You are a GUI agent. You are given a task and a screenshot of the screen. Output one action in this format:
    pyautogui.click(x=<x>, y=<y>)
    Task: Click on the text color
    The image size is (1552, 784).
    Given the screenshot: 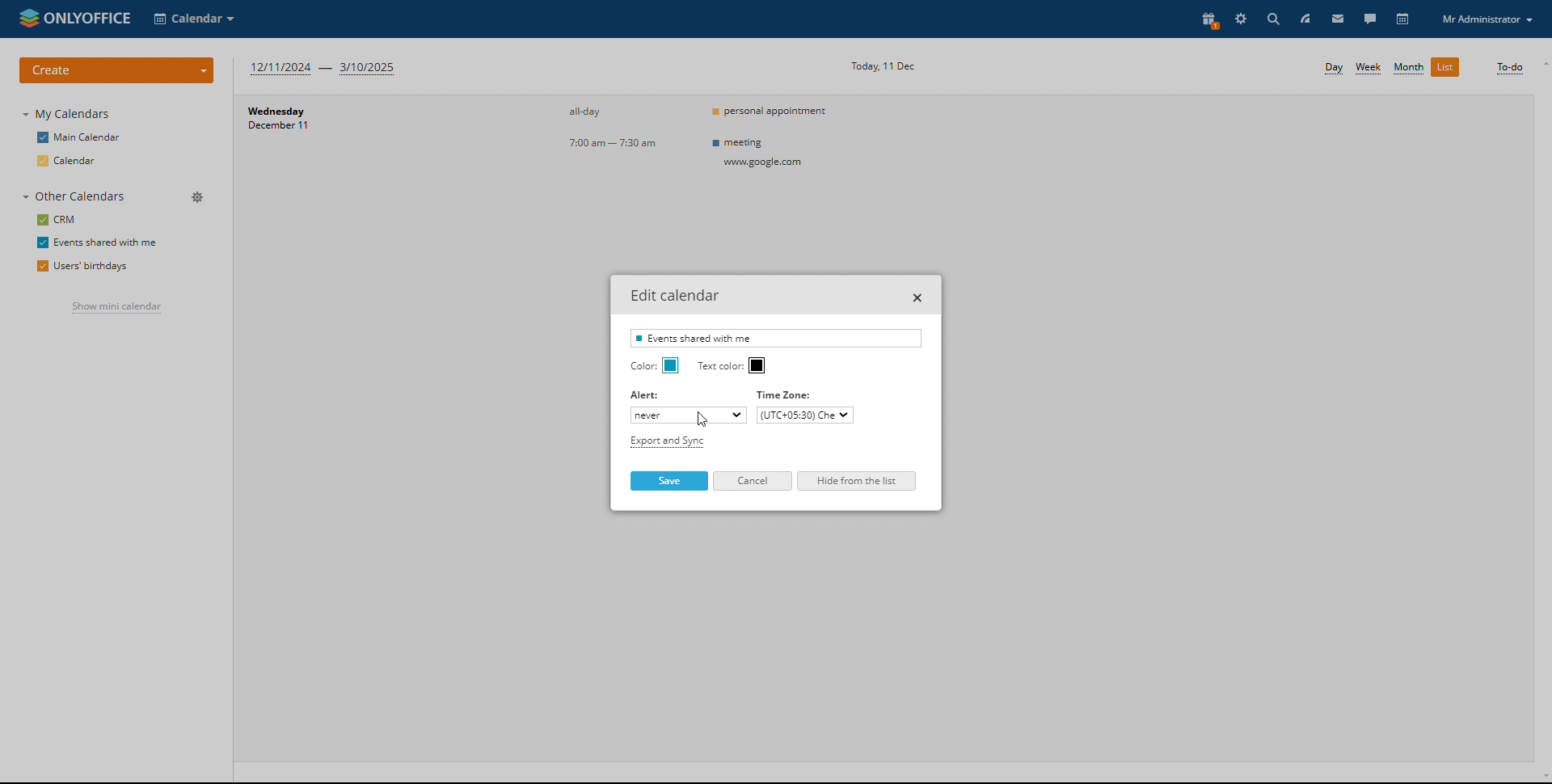 What is the action you would take?
    pyautogui.click(x=757, y=365)
    